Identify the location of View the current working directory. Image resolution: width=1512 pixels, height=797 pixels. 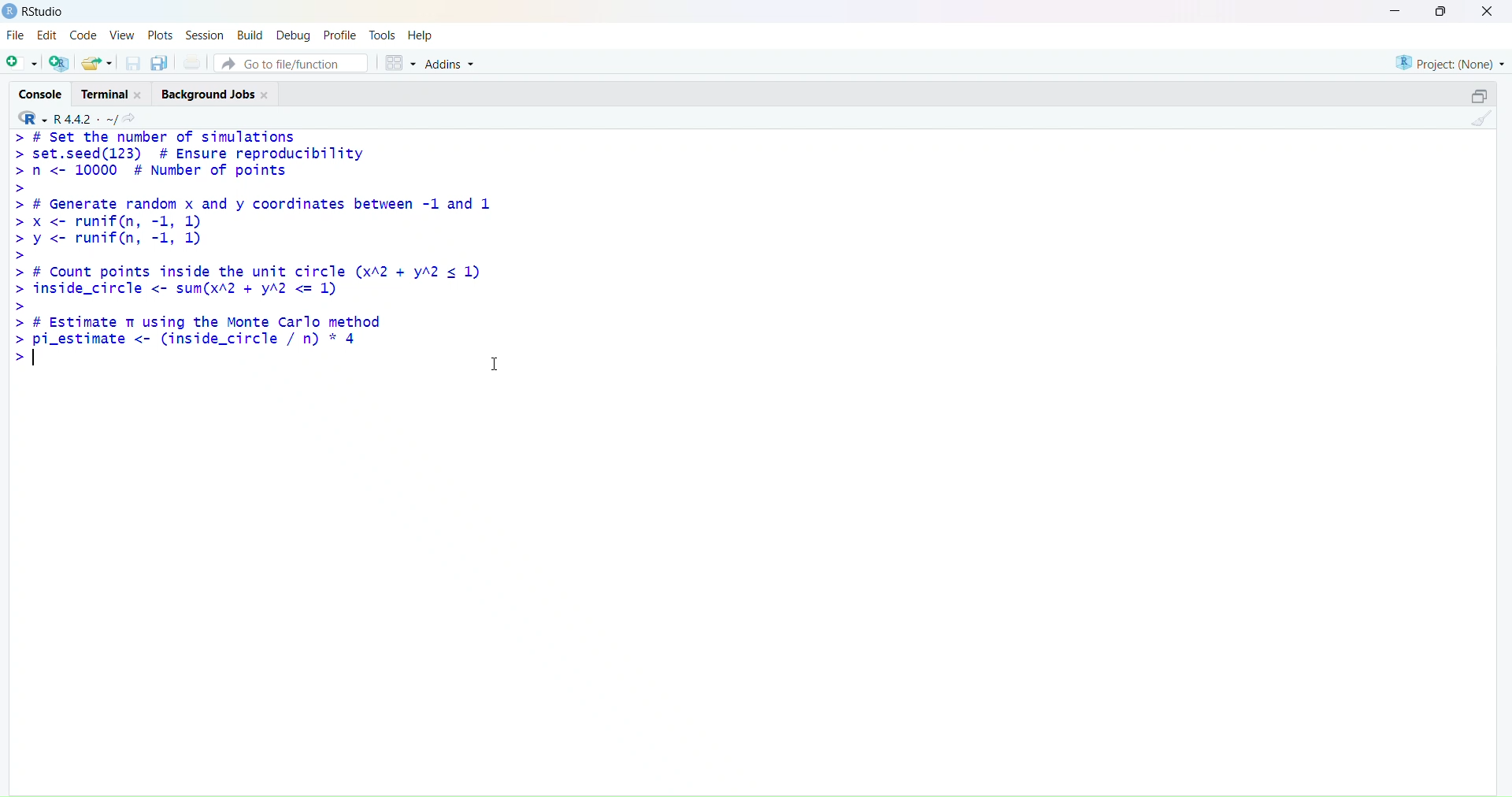
(135, 117).